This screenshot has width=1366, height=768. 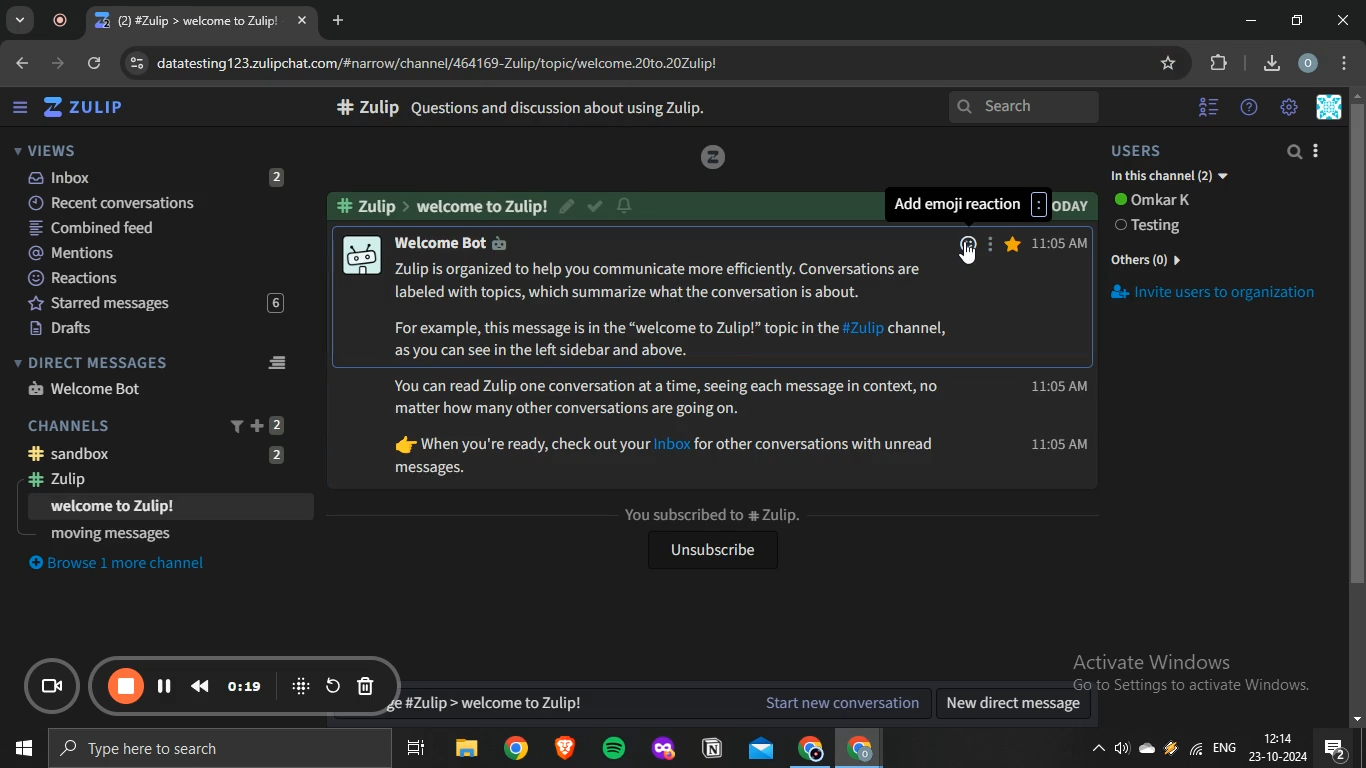 I want to click on welcome bot, so click(x=466, y=242).